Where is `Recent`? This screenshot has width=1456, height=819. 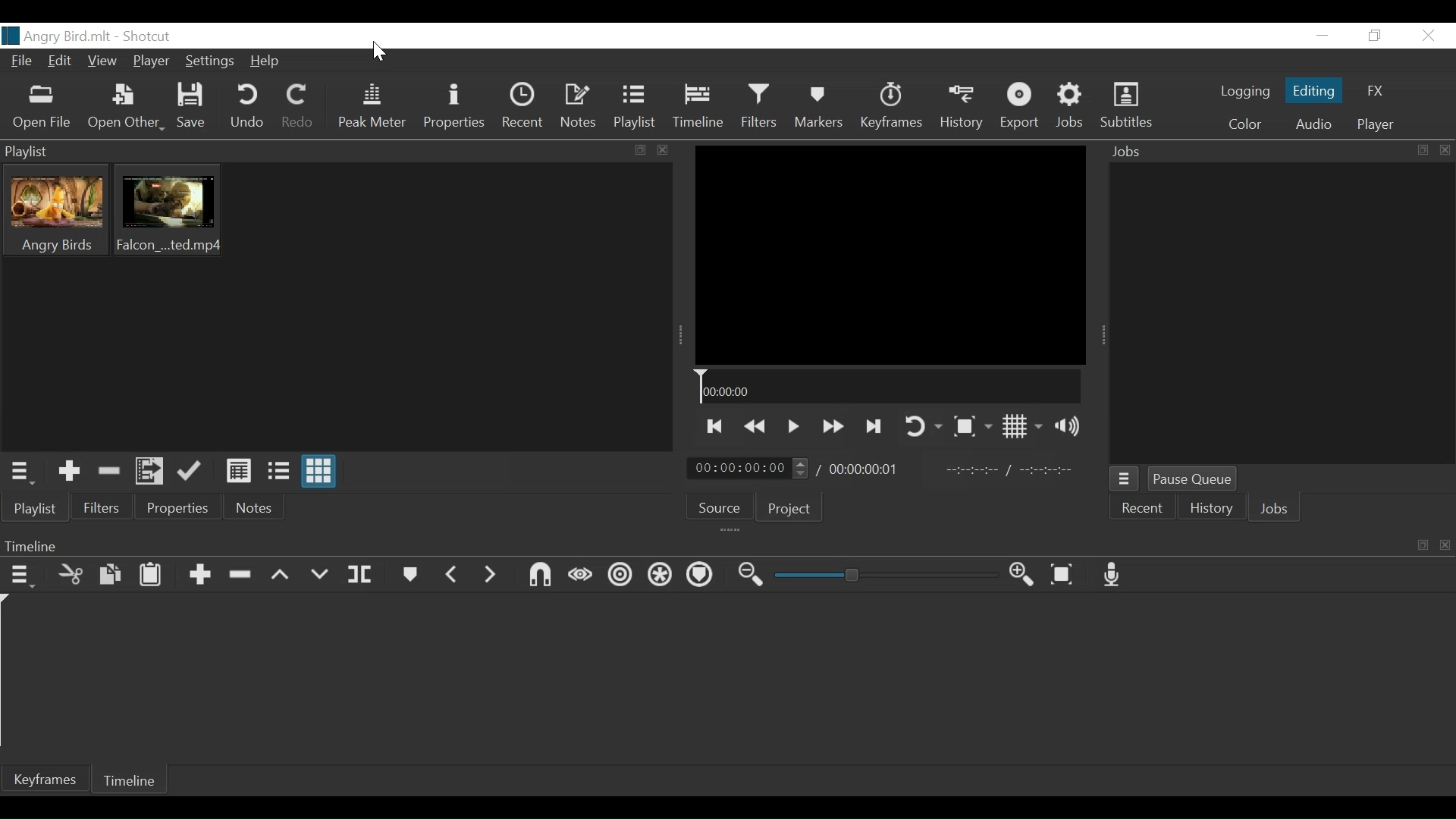
Recent is located at coordinates (1144, 510).